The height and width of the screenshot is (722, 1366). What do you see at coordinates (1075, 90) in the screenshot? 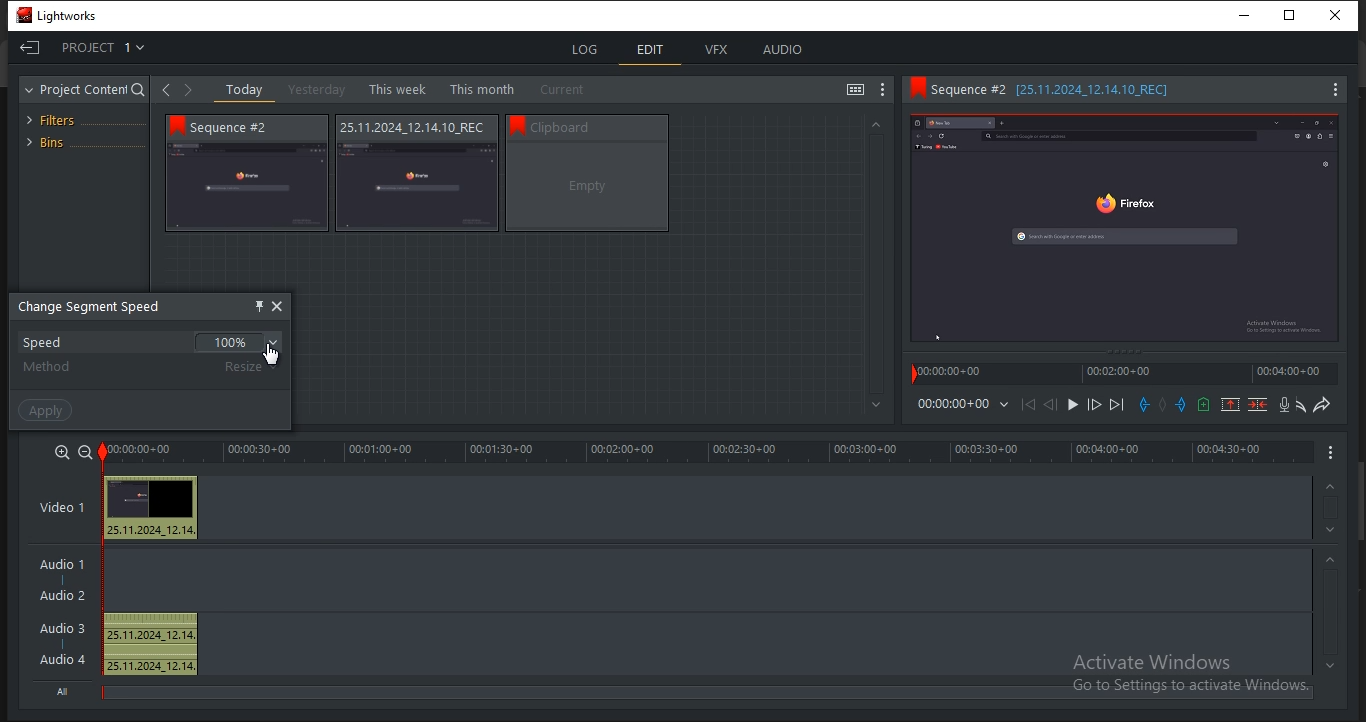
I see `Sequence information` at bounding box center [1075, 90].